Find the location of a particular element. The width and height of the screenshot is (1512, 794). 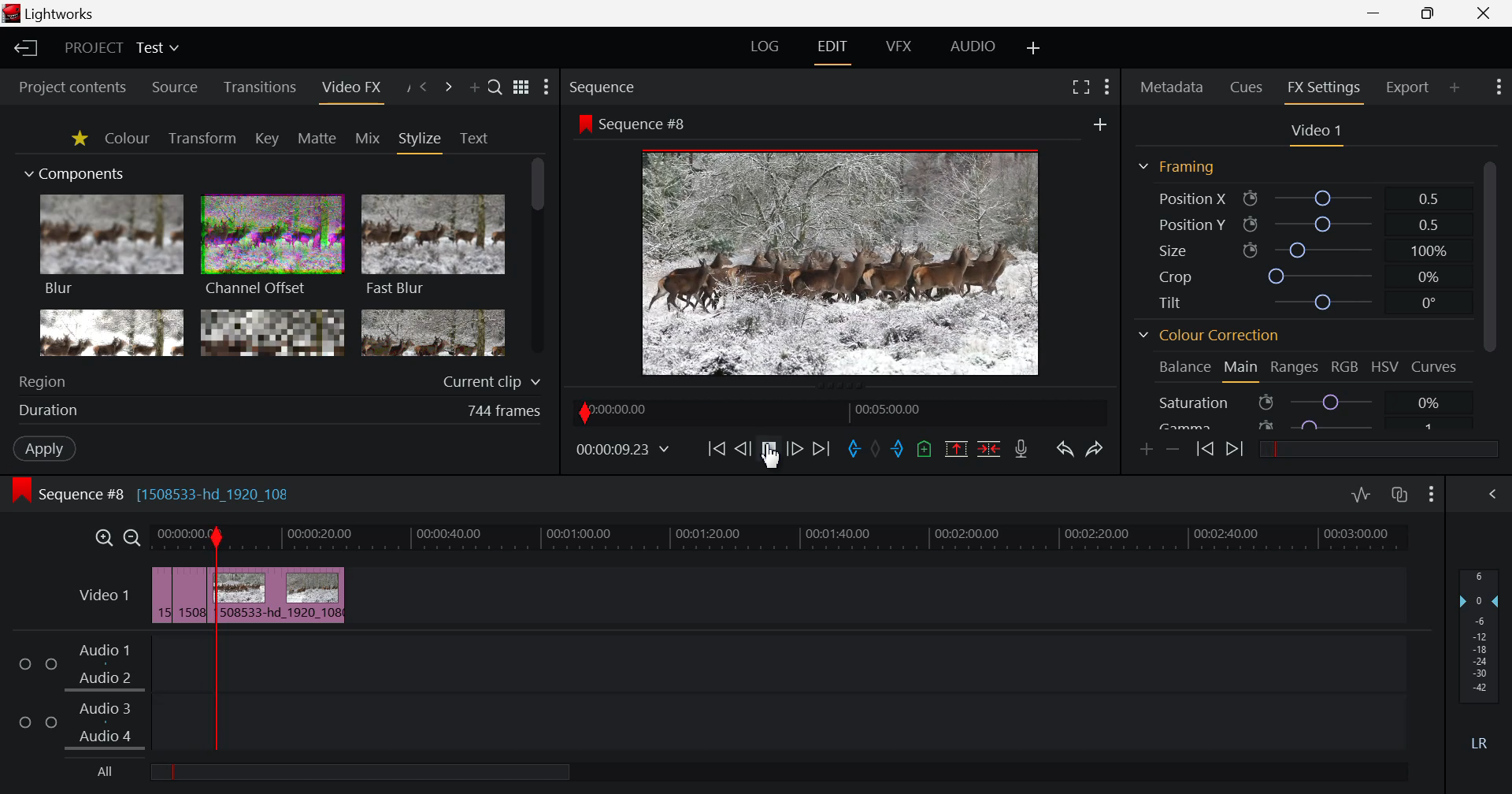

Gamma is located at coordinates (1310, 423).